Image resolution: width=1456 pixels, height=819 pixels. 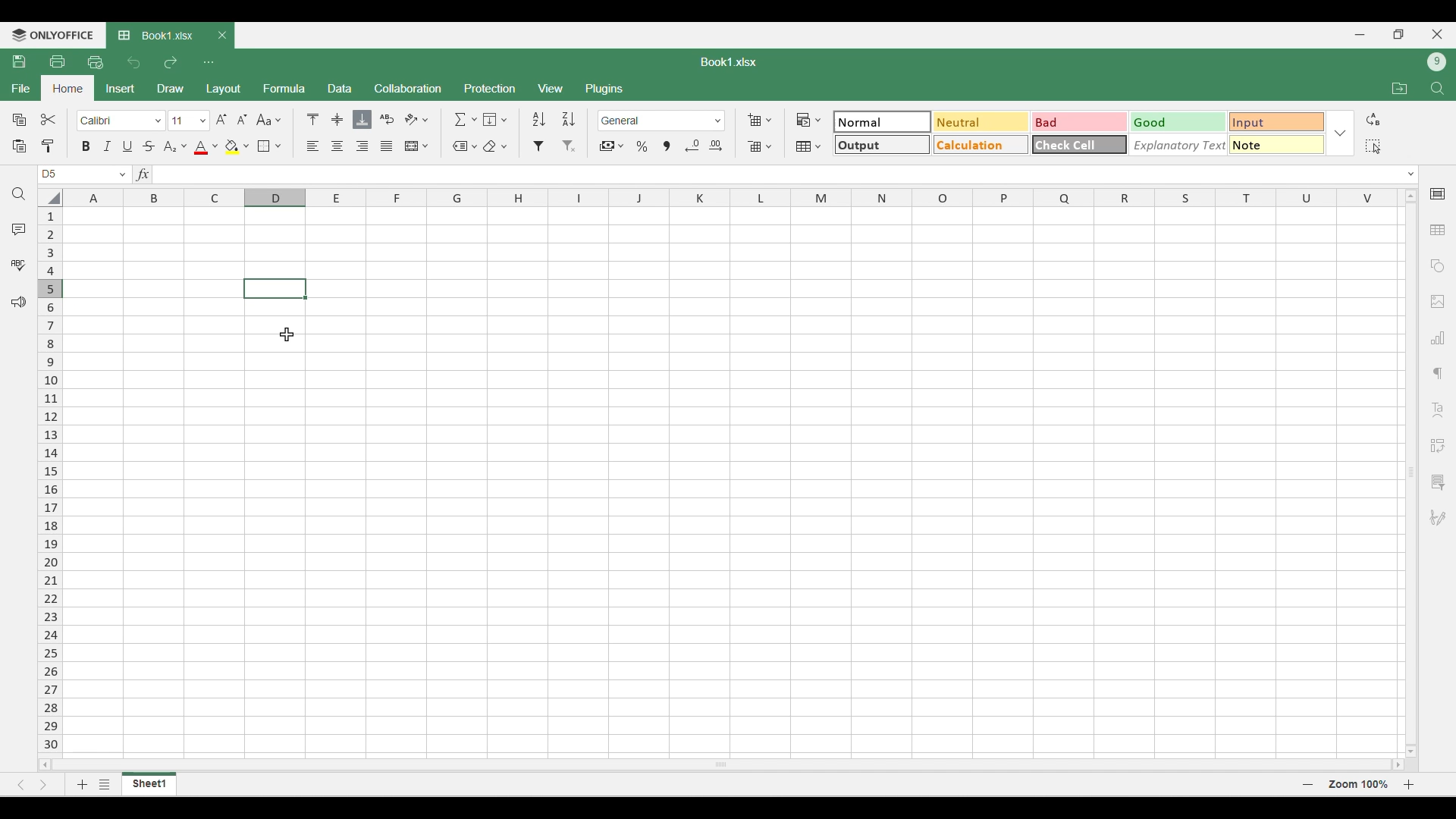 What do you see at coordinates (1437, 34) in the screenshot?
I see `Close interface` at bounding box center [1437, 34].